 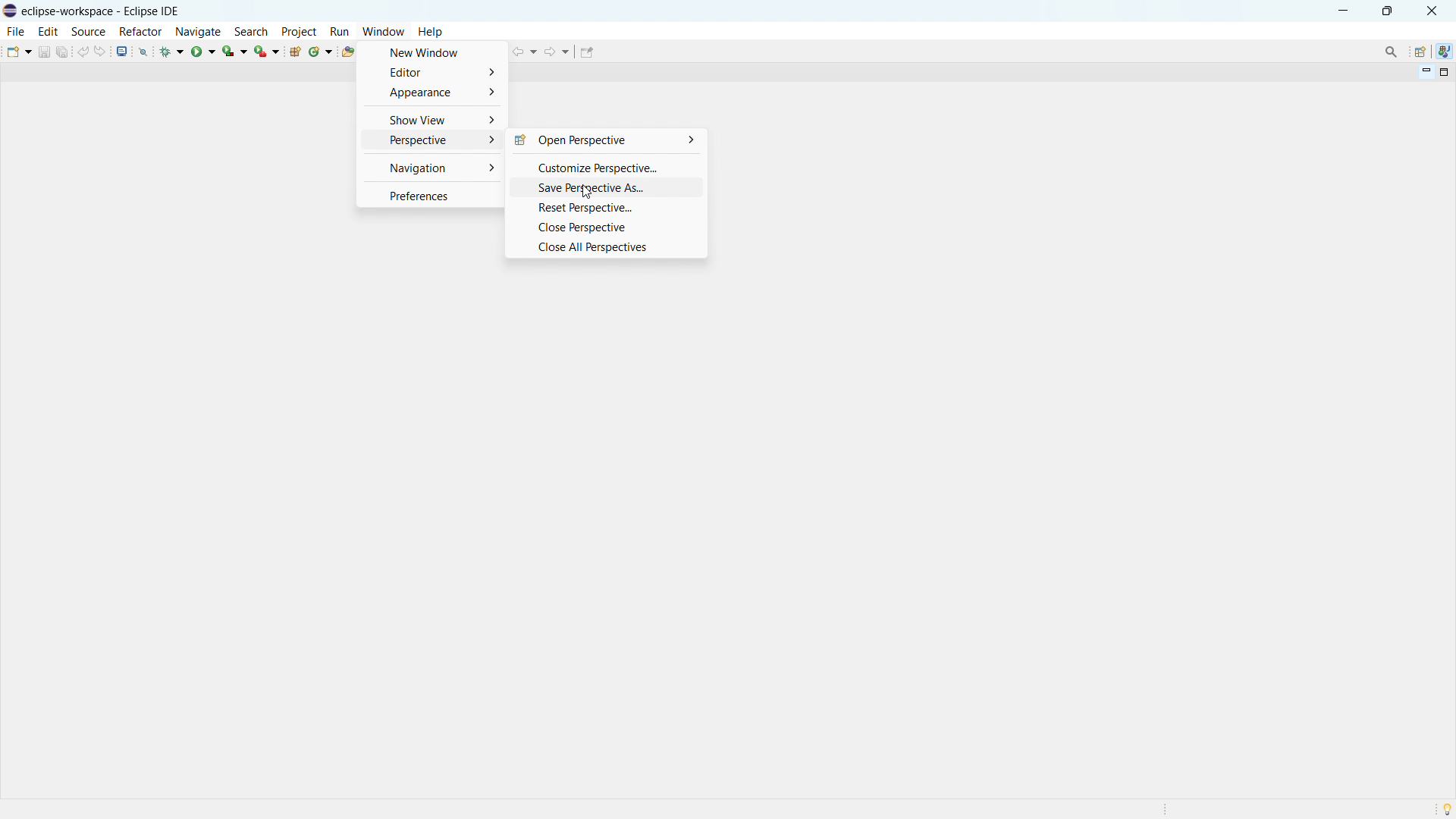 What do you see at coordinates (11, 11) in the screenshot?
I see `logo` at bounding box center [11, 11].